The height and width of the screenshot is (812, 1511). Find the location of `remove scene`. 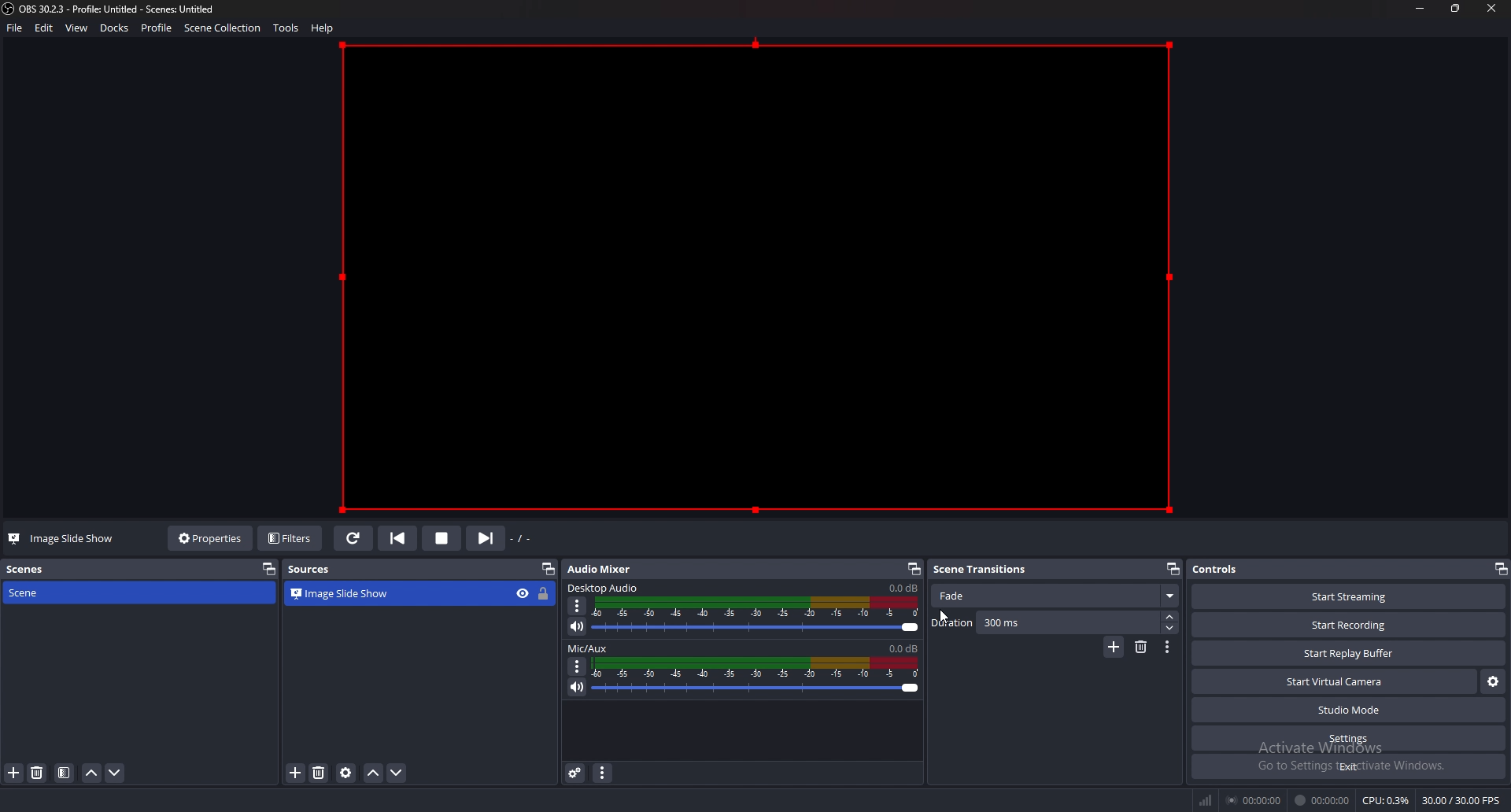

remove scene is located at coordinates (38, 773).